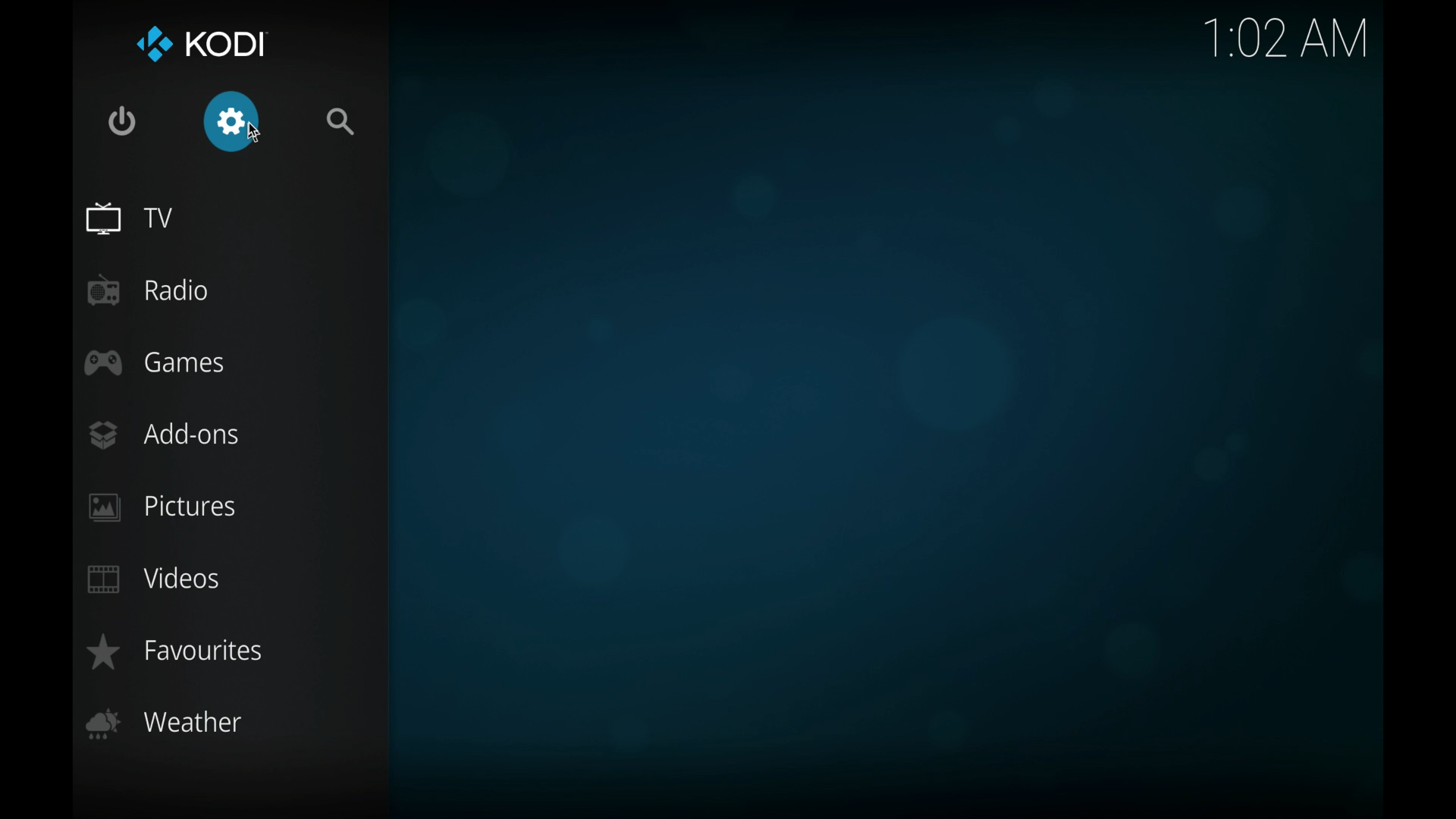 The width and height of the screenshot is (1456, 819). Describe the element at coordinates (155, 46) in the screenshot. I see `kodi logo` at that location.